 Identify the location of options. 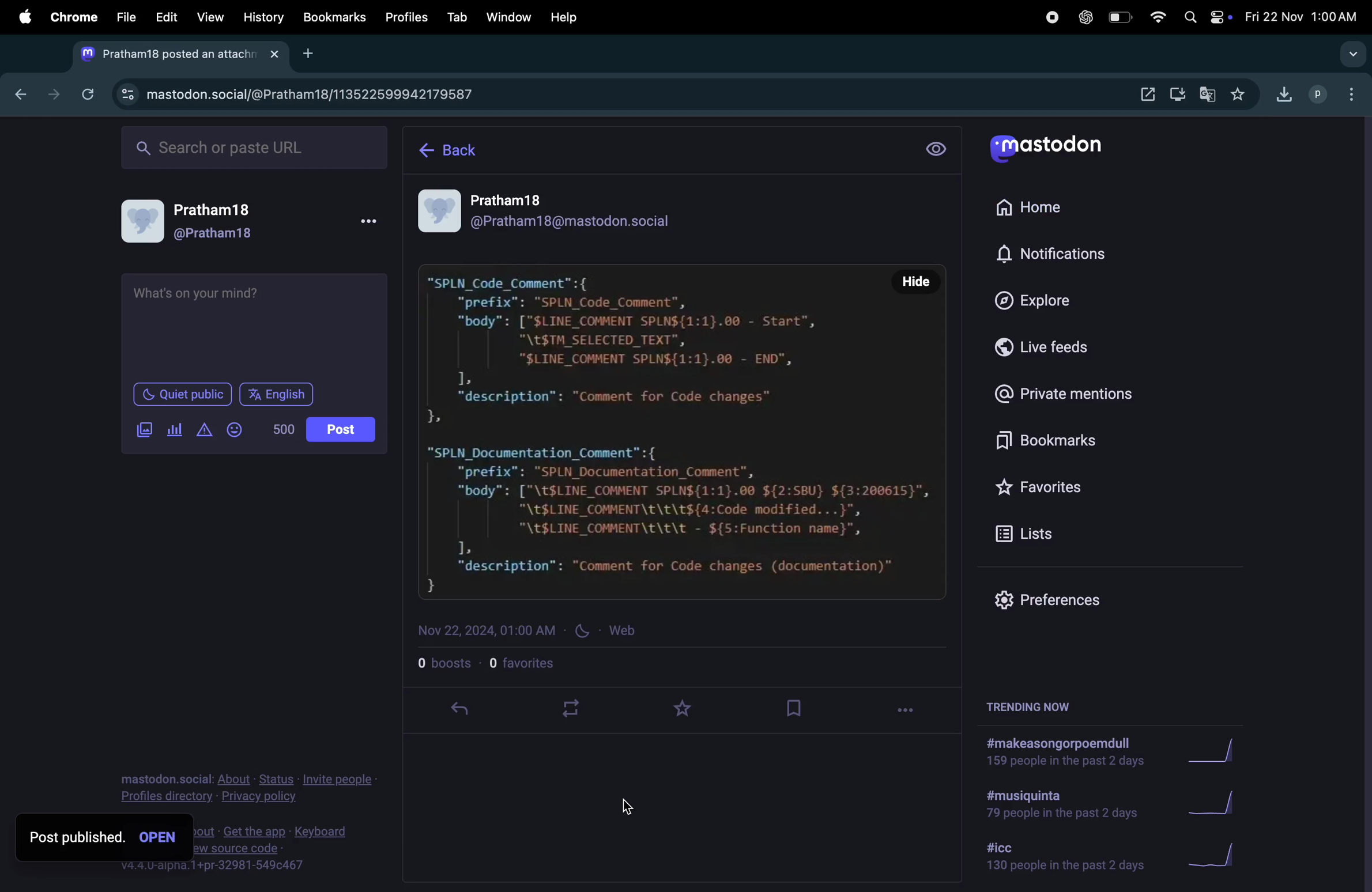
(914, 709).